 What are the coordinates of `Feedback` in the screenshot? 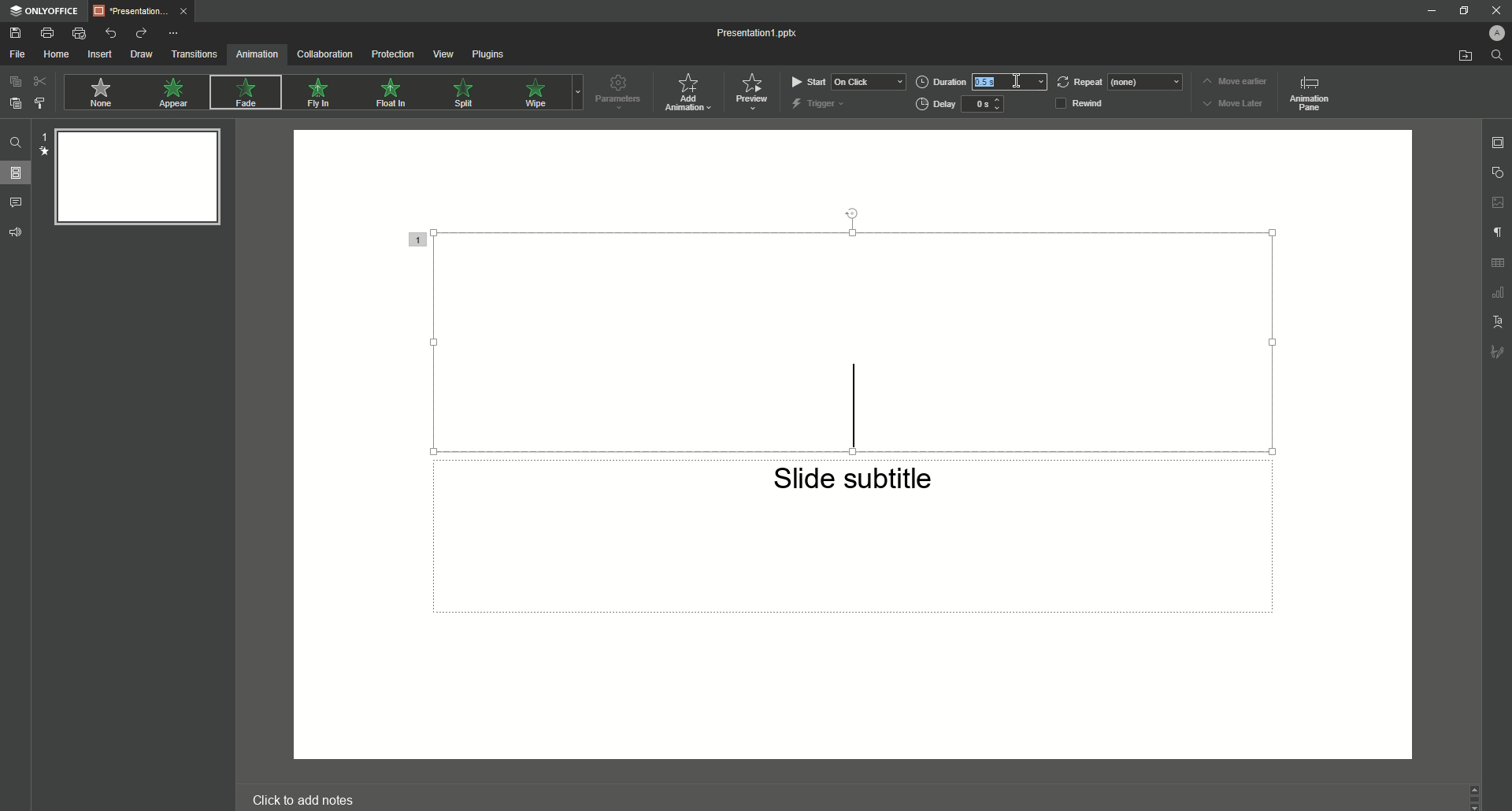 It's located at (16, 231).